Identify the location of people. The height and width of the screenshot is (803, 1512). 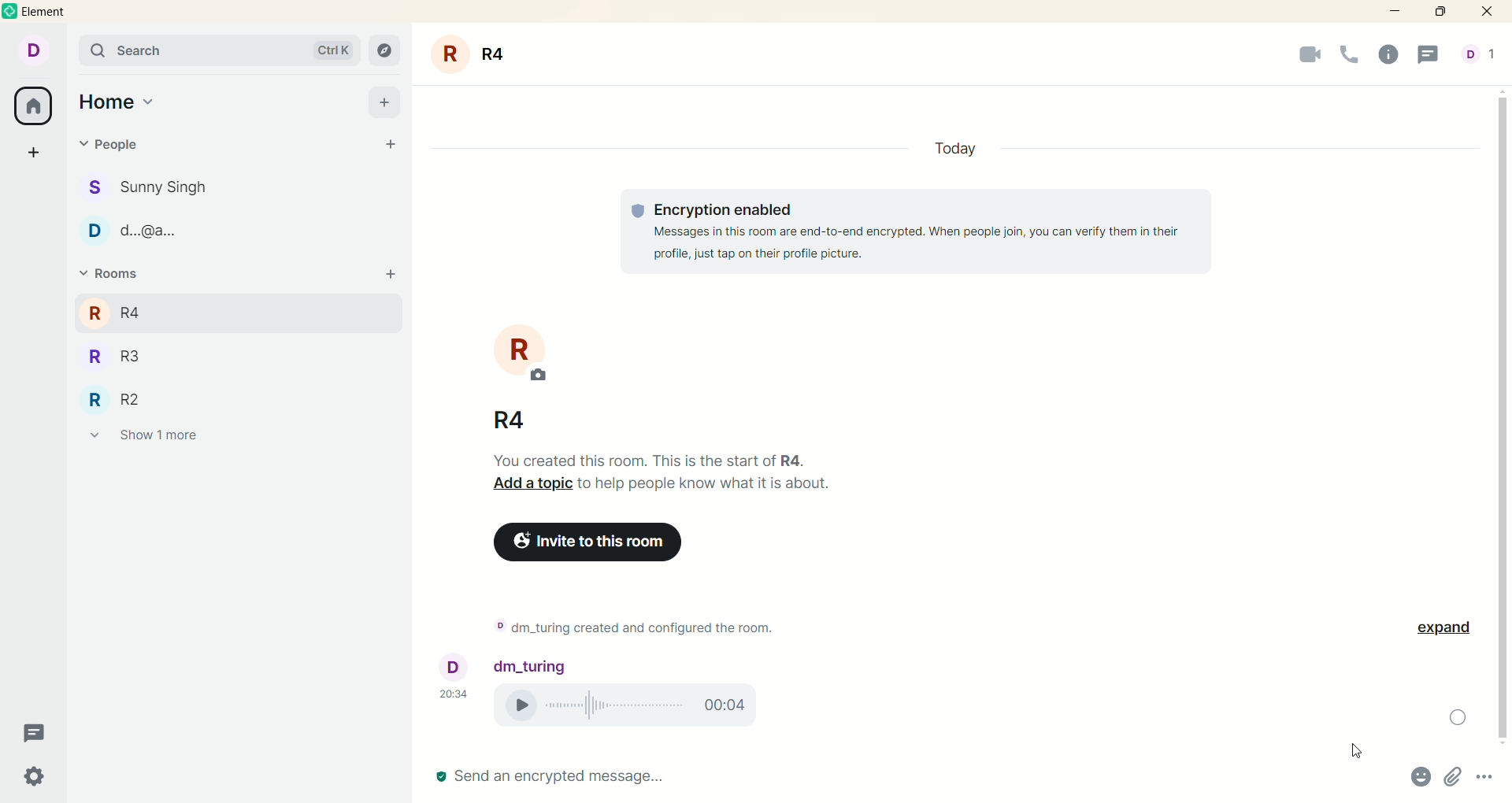
(161, 235).